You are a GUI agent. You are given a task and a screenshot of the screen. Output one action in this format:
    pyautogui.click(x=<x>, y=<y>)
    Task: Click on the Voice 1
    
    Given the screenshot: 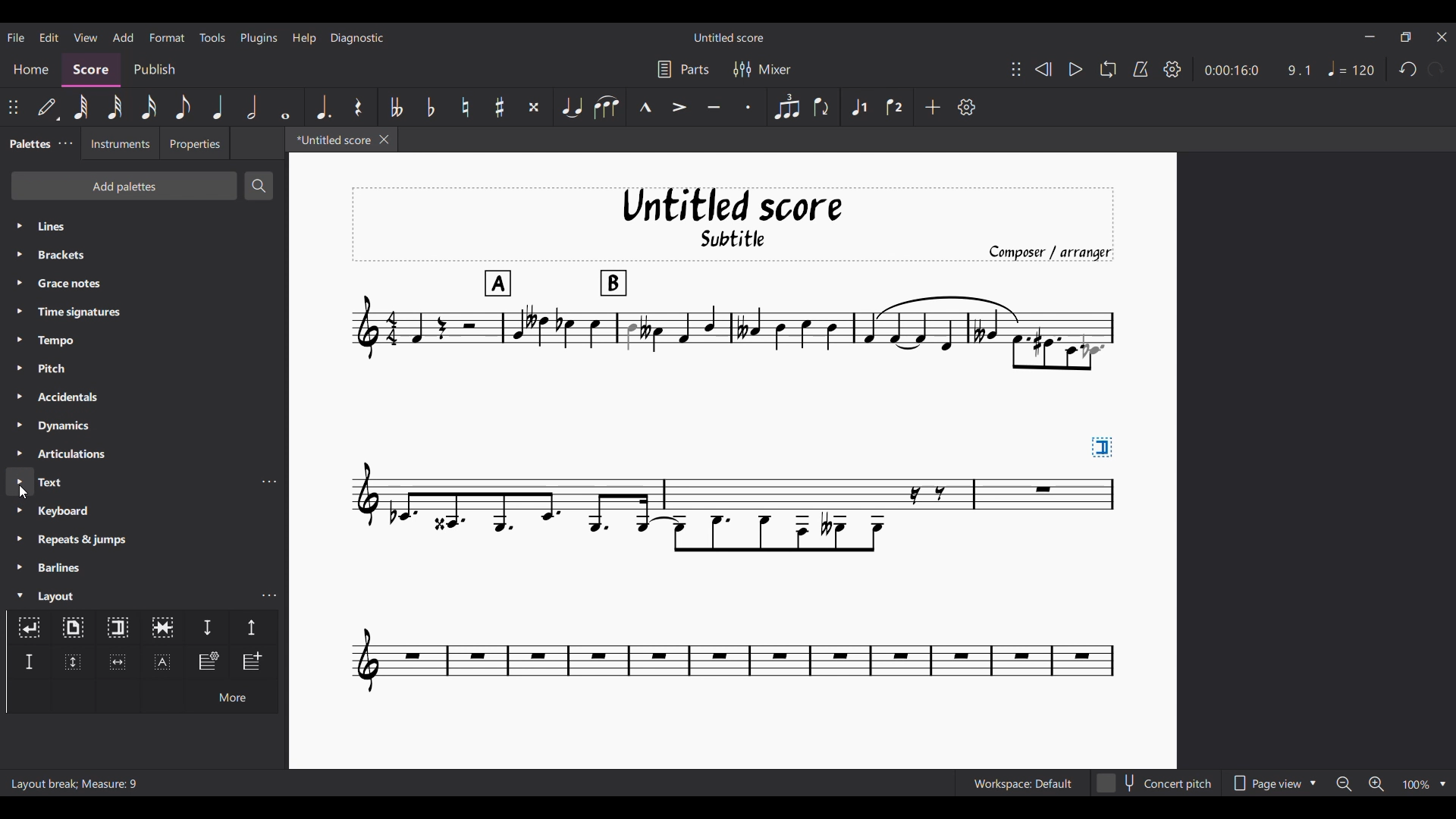 What is the action you would take?
    pyautogui.click(x=858, y=107)
    